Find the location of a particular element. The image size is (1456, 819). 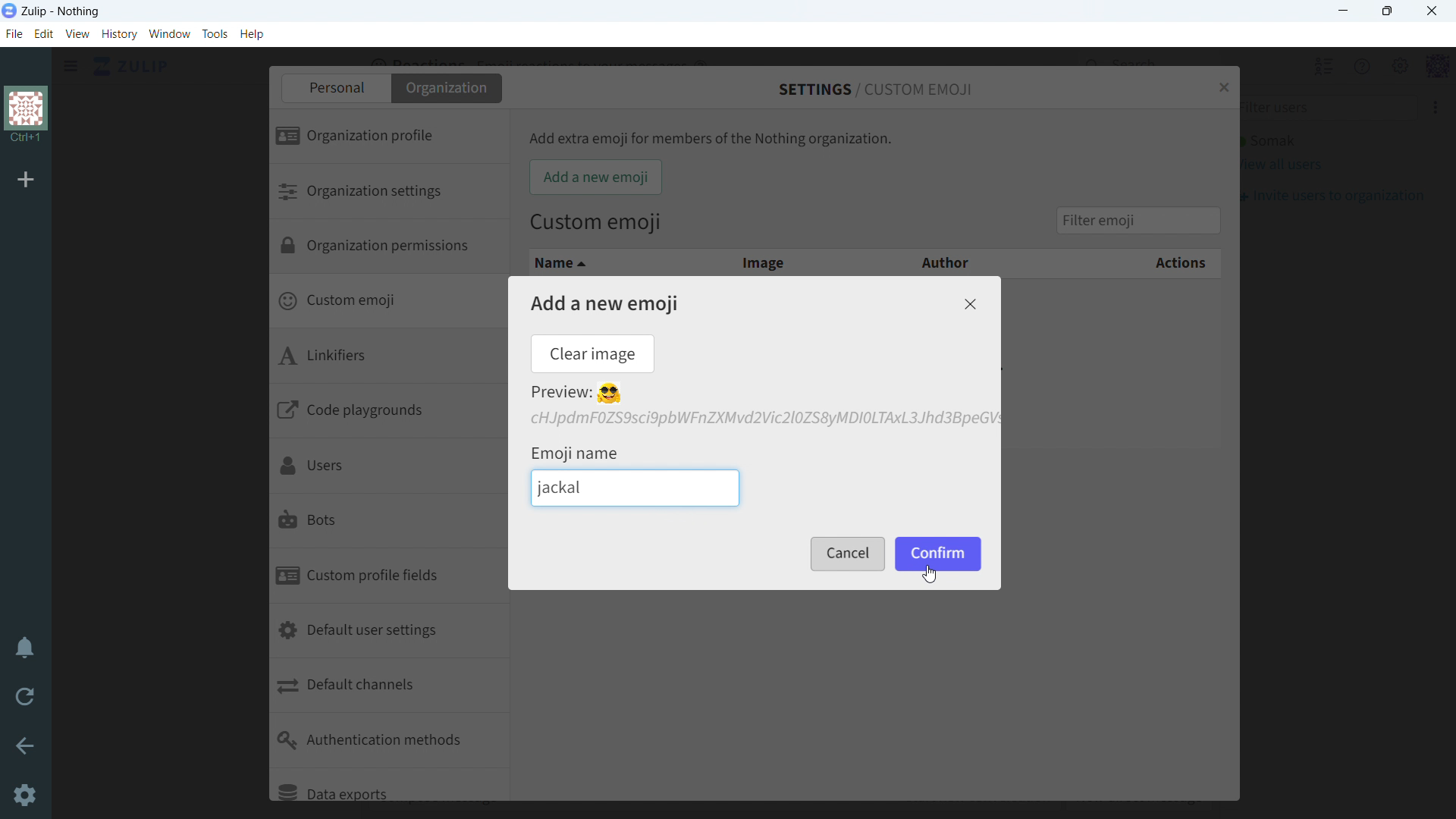

custom emoji is located at coordinates (387, 303).